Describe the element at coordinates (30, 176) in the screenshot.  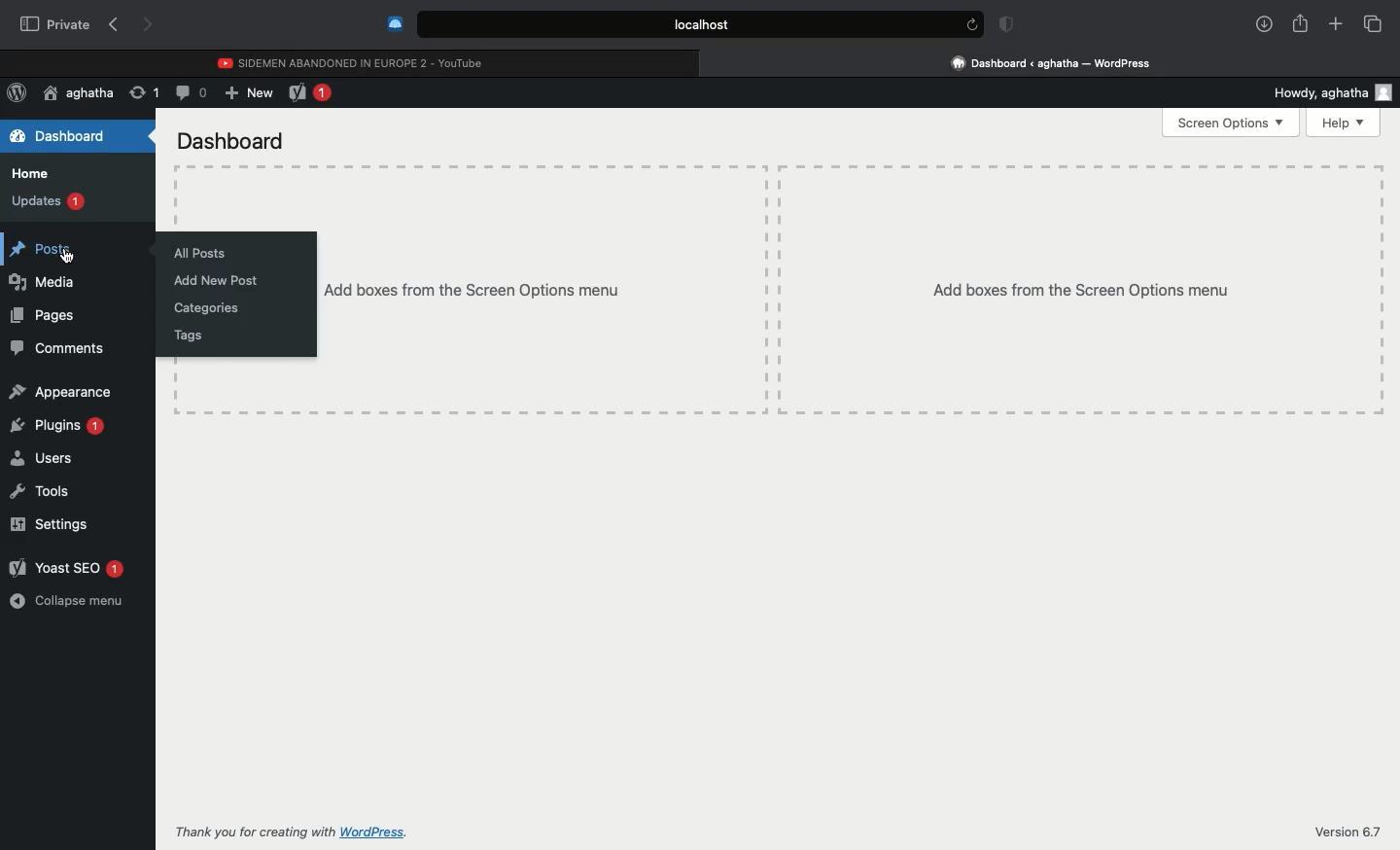
I see `Home` at that location.